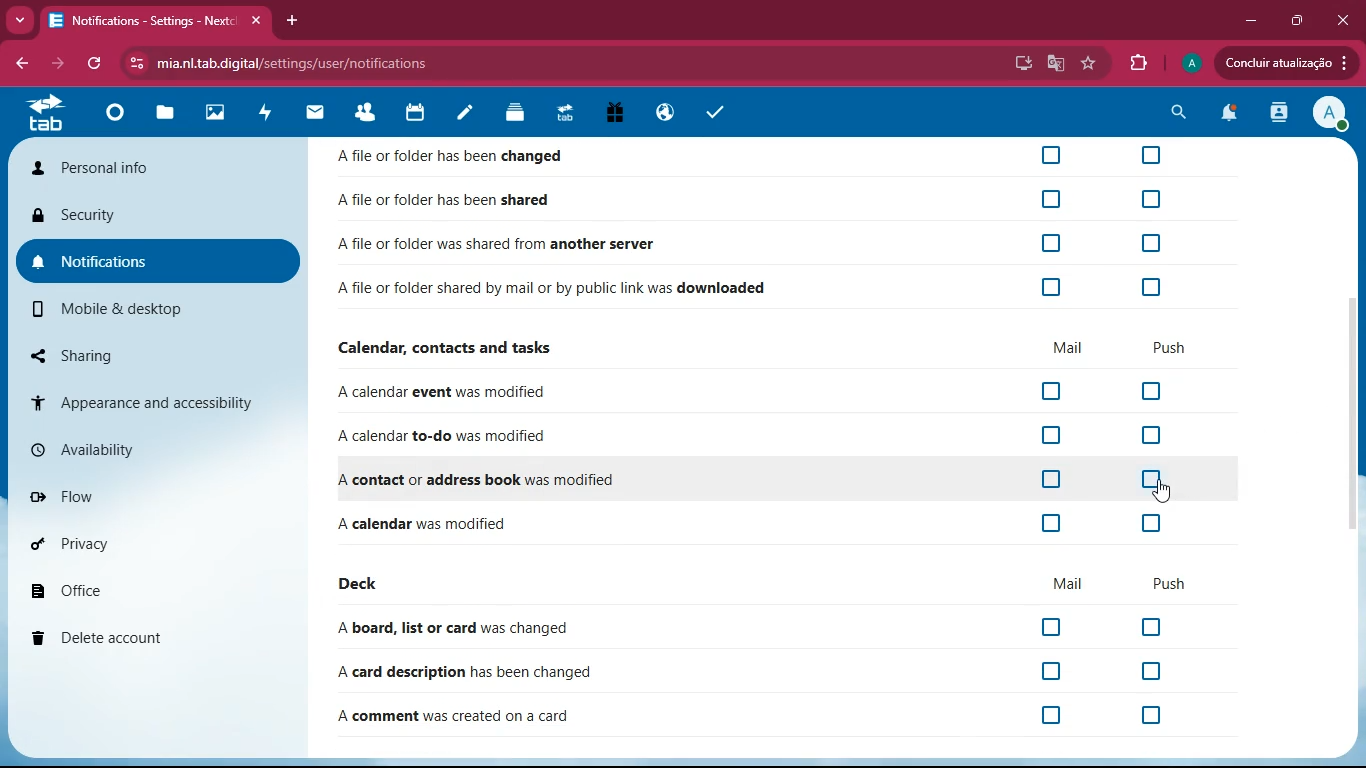 The image size is (1366, 768). I want to click on off, so click(1153, 480).